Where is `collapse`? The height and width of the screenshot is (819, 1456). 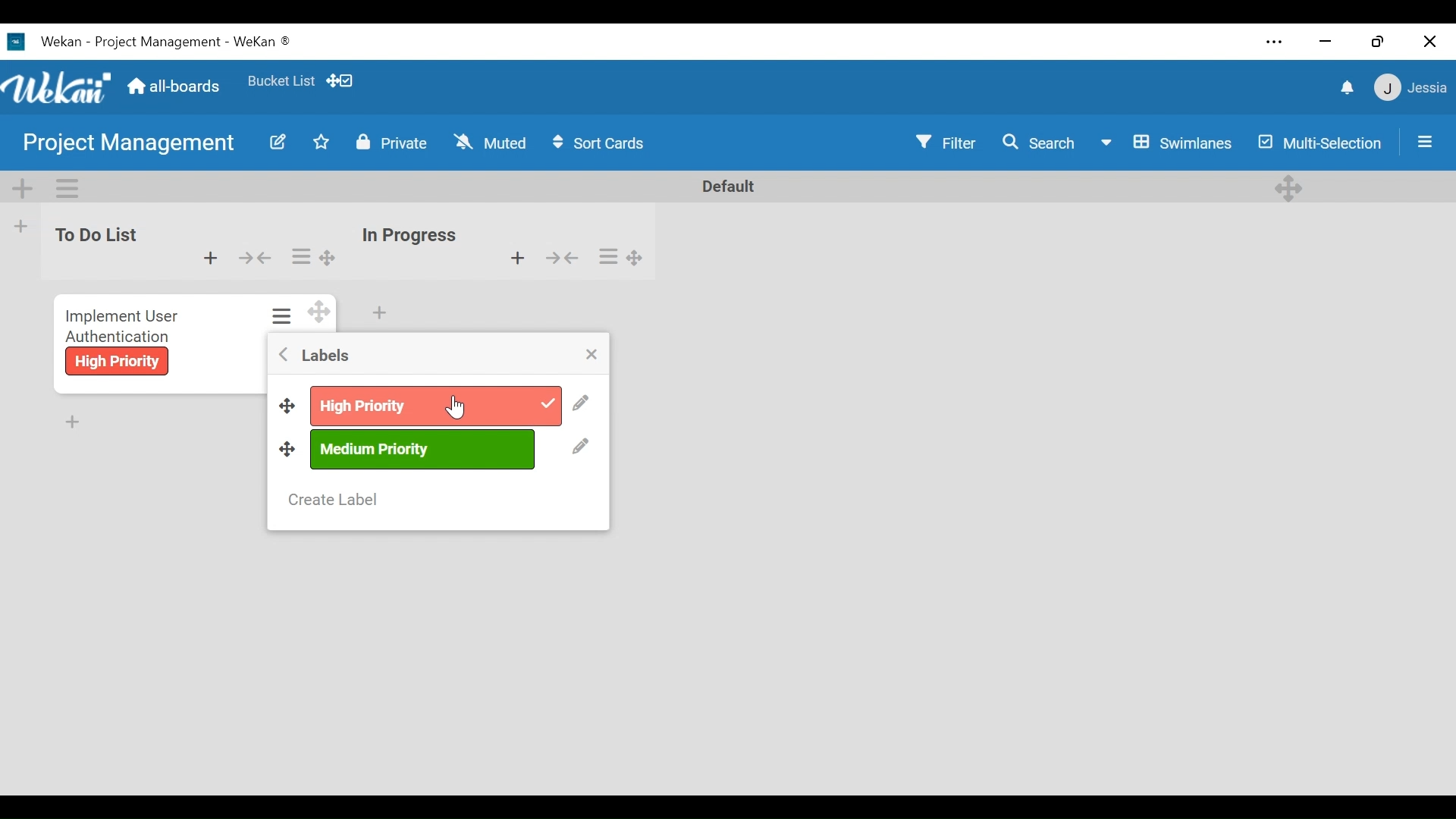 collapse is located at coordinates (256, 258).